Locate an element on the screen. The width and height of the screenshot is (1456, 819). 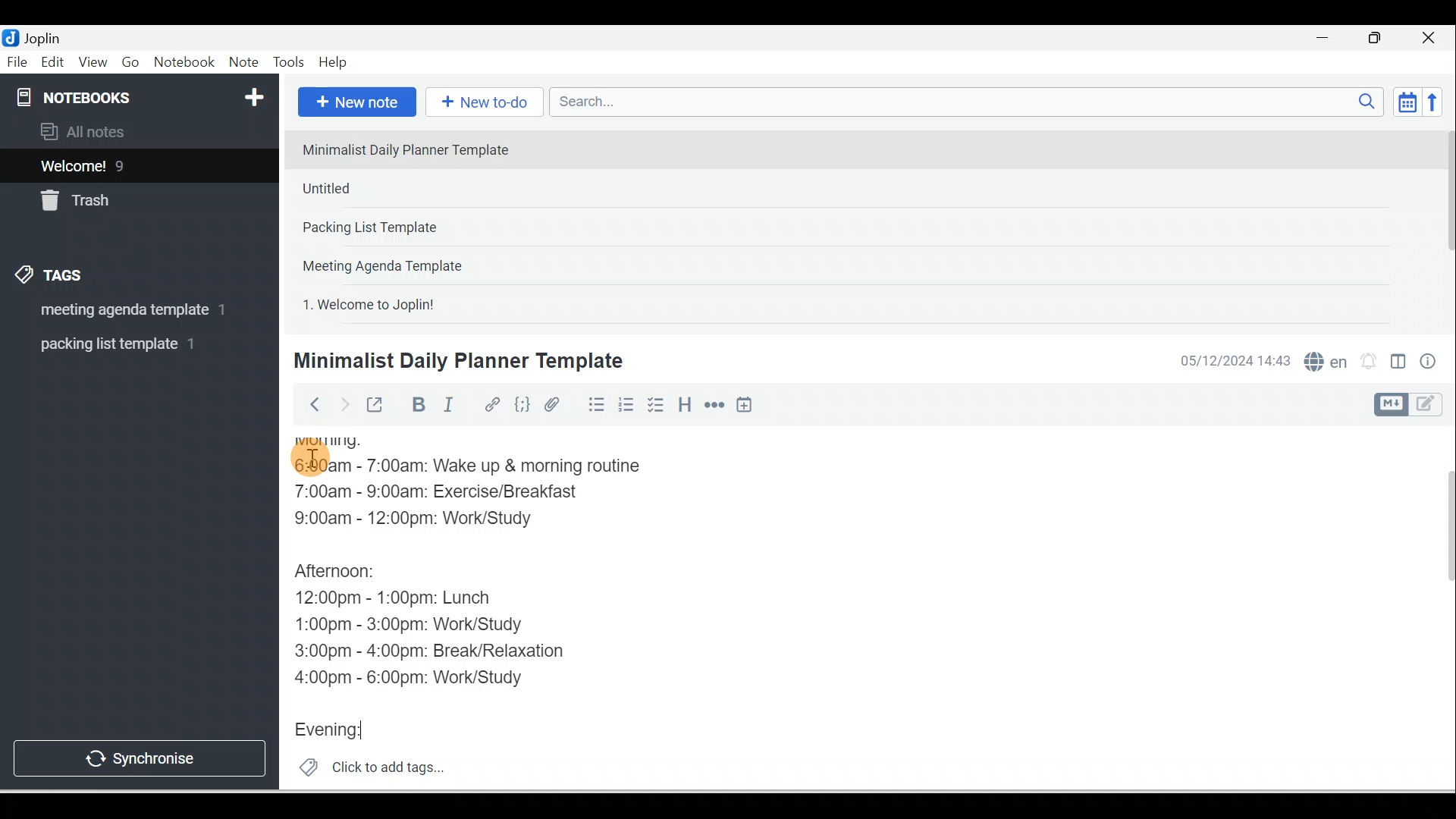
Morning: is located at coordinates (345, 441).